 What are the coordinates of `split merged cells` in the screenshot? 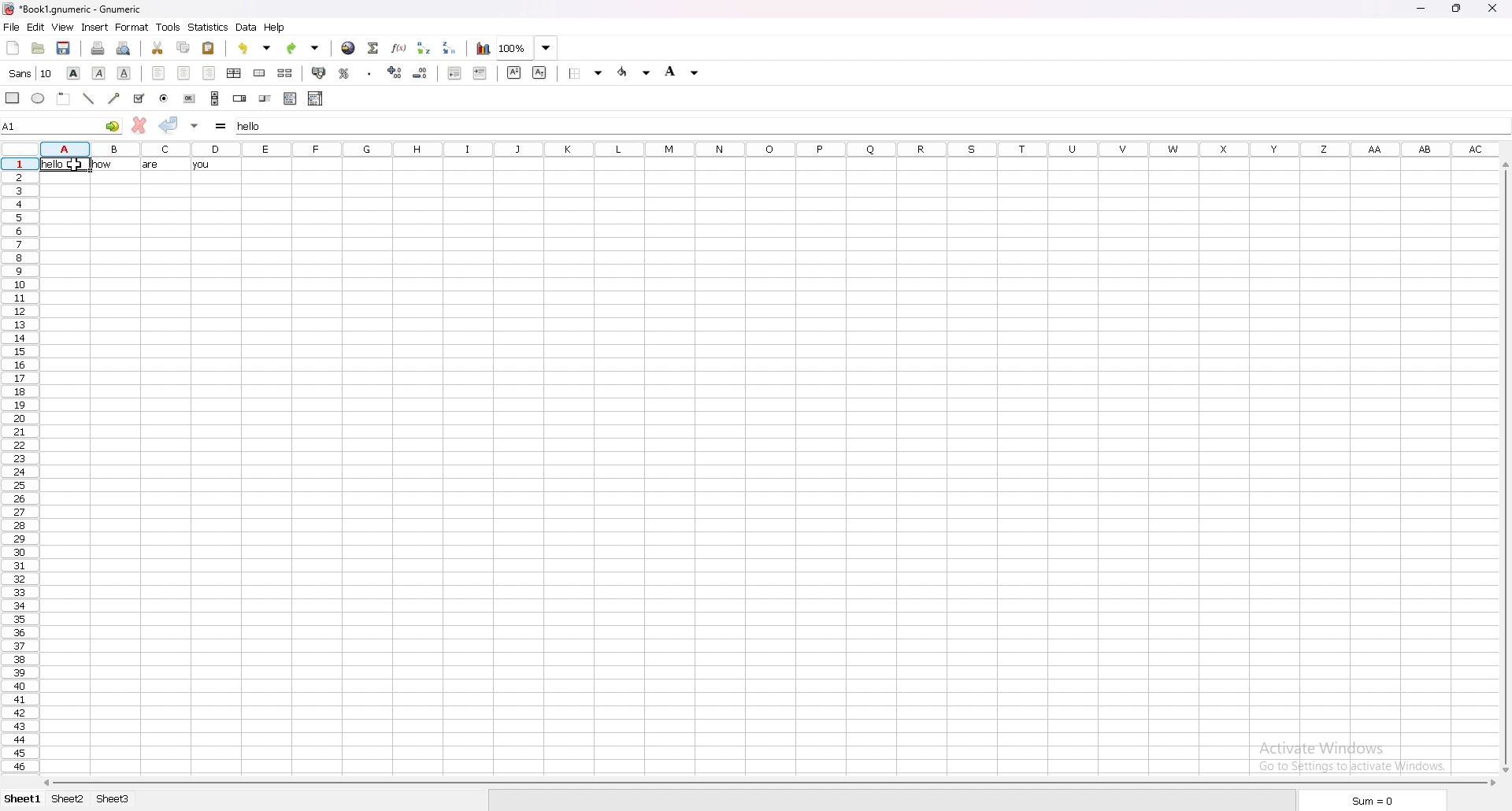 It's located at (285, 73).